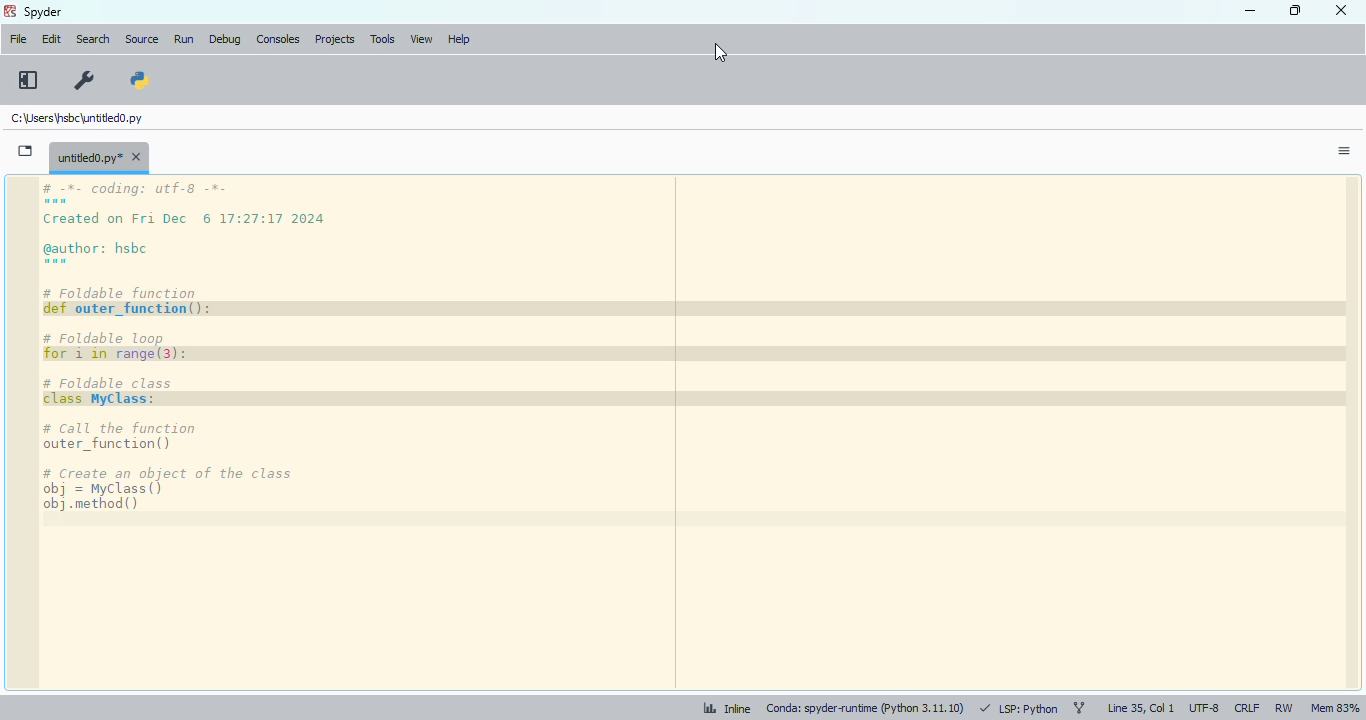 The width and height of the screenshot is (1366, 720). I want to click on file, so click(17, 38).